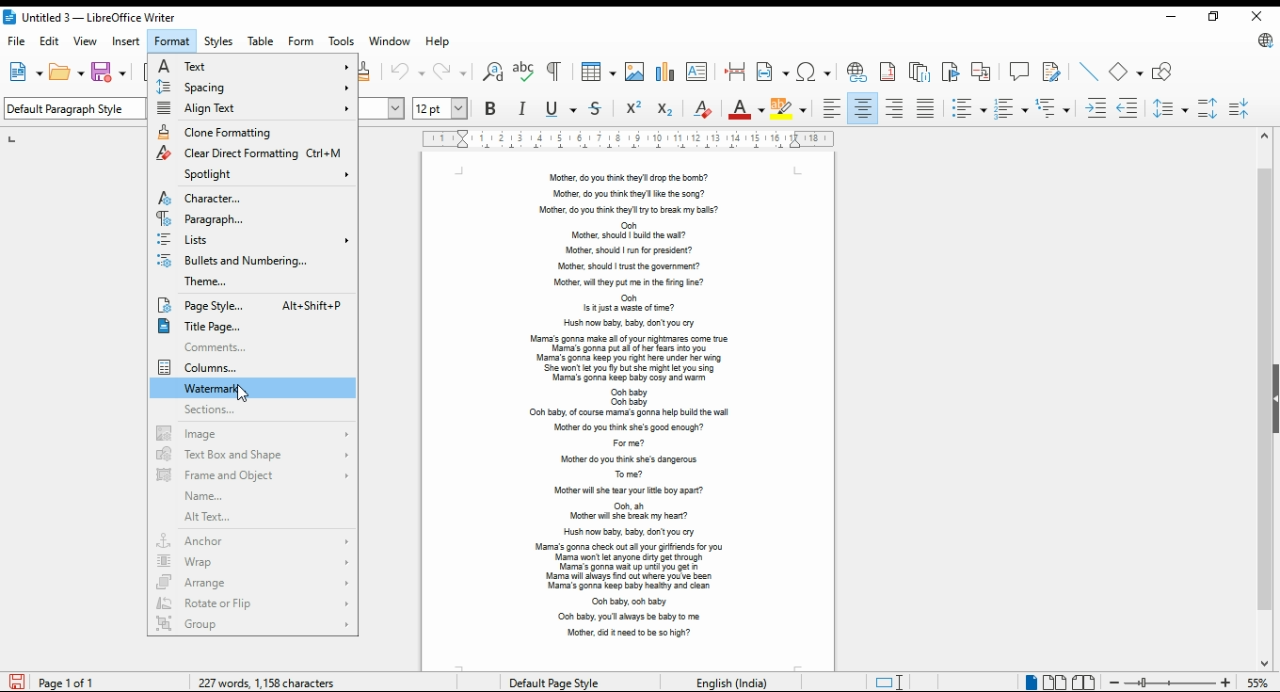  Describe the element at coordinates (253, 87) in the screenshot. I see `spacing` at that location.